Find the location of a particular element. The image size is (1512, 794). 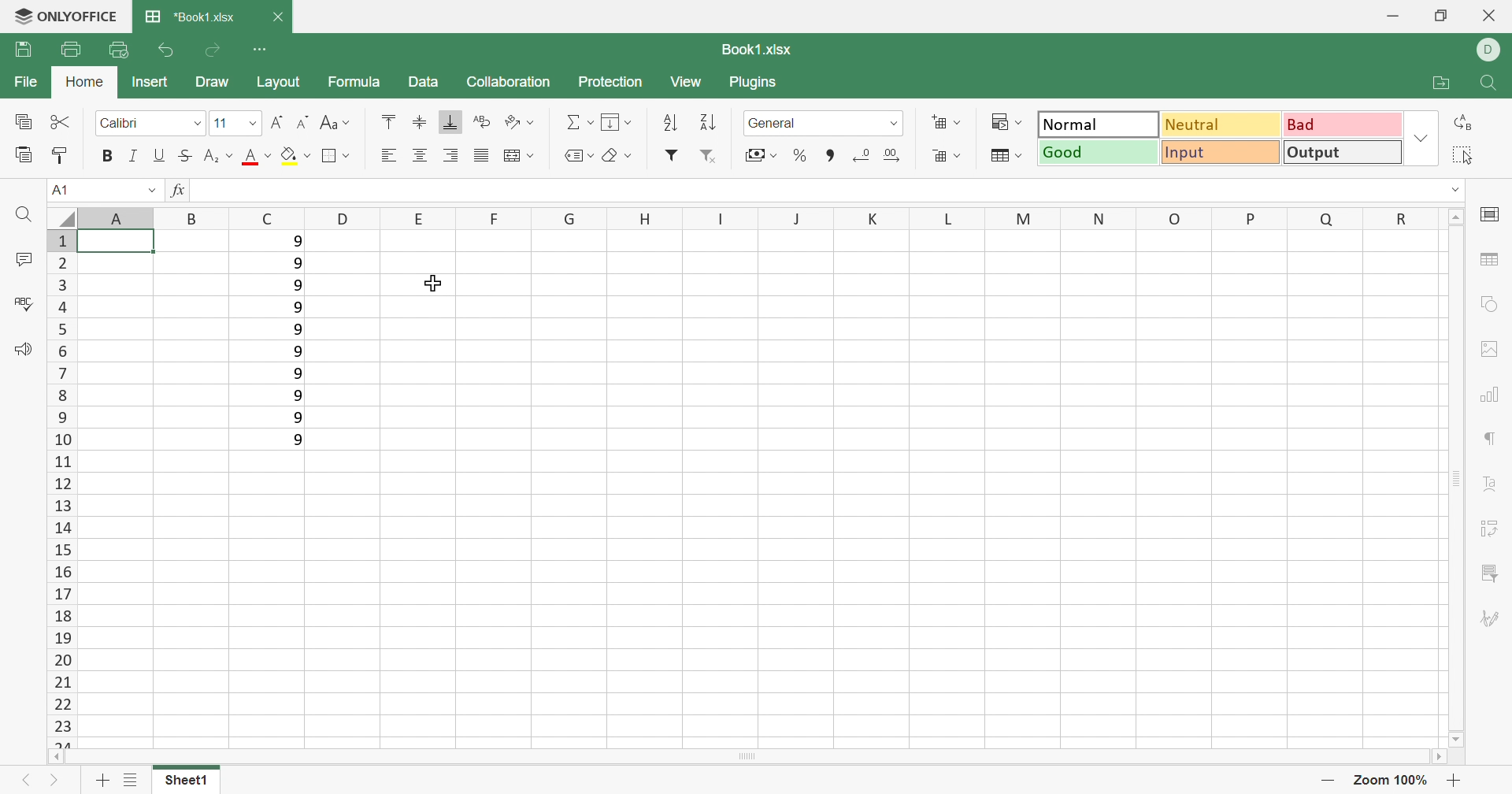

Align Left is located at coordinates (388, 155).